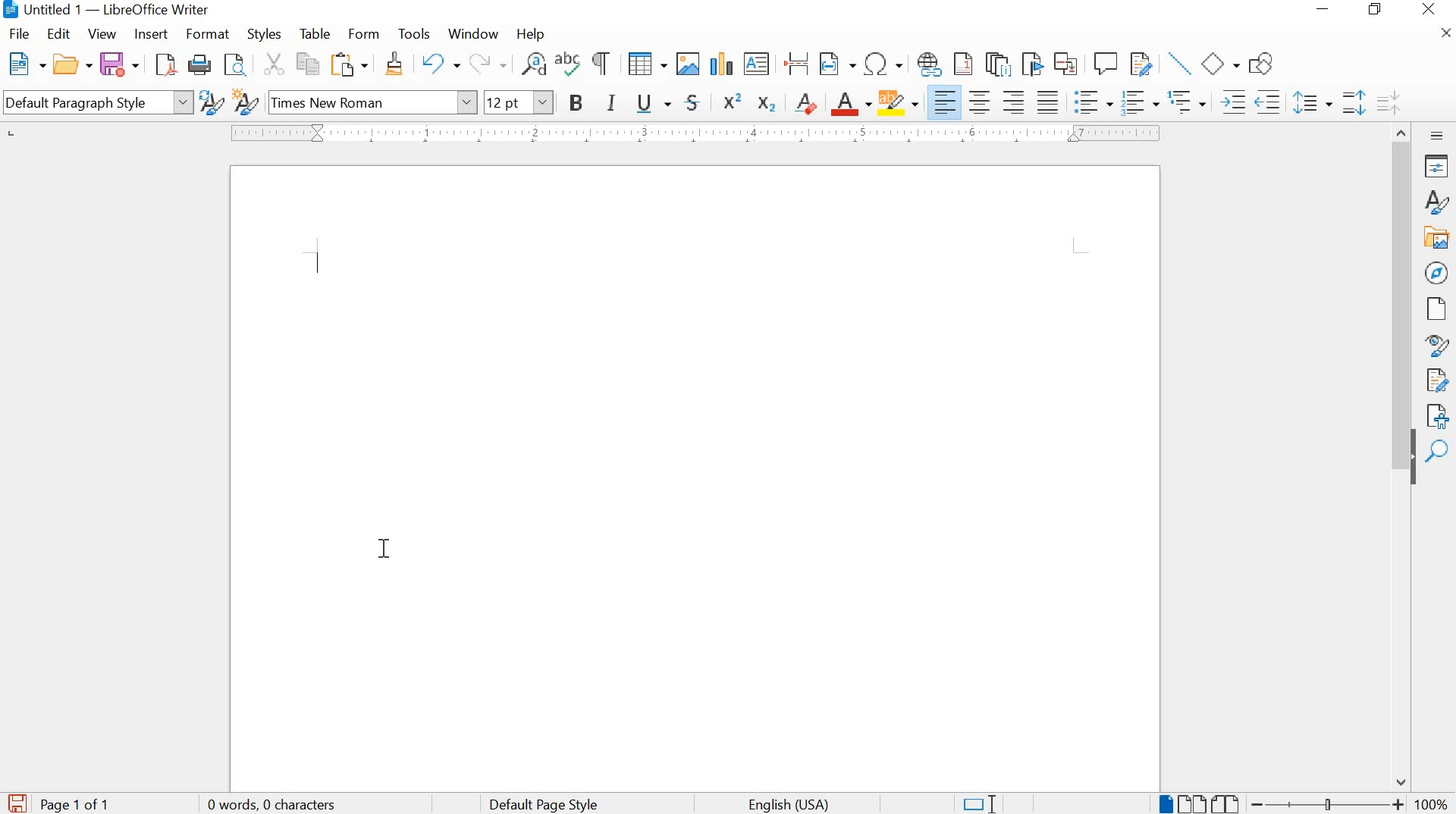  I want to click on HELP, so click(527, 35).